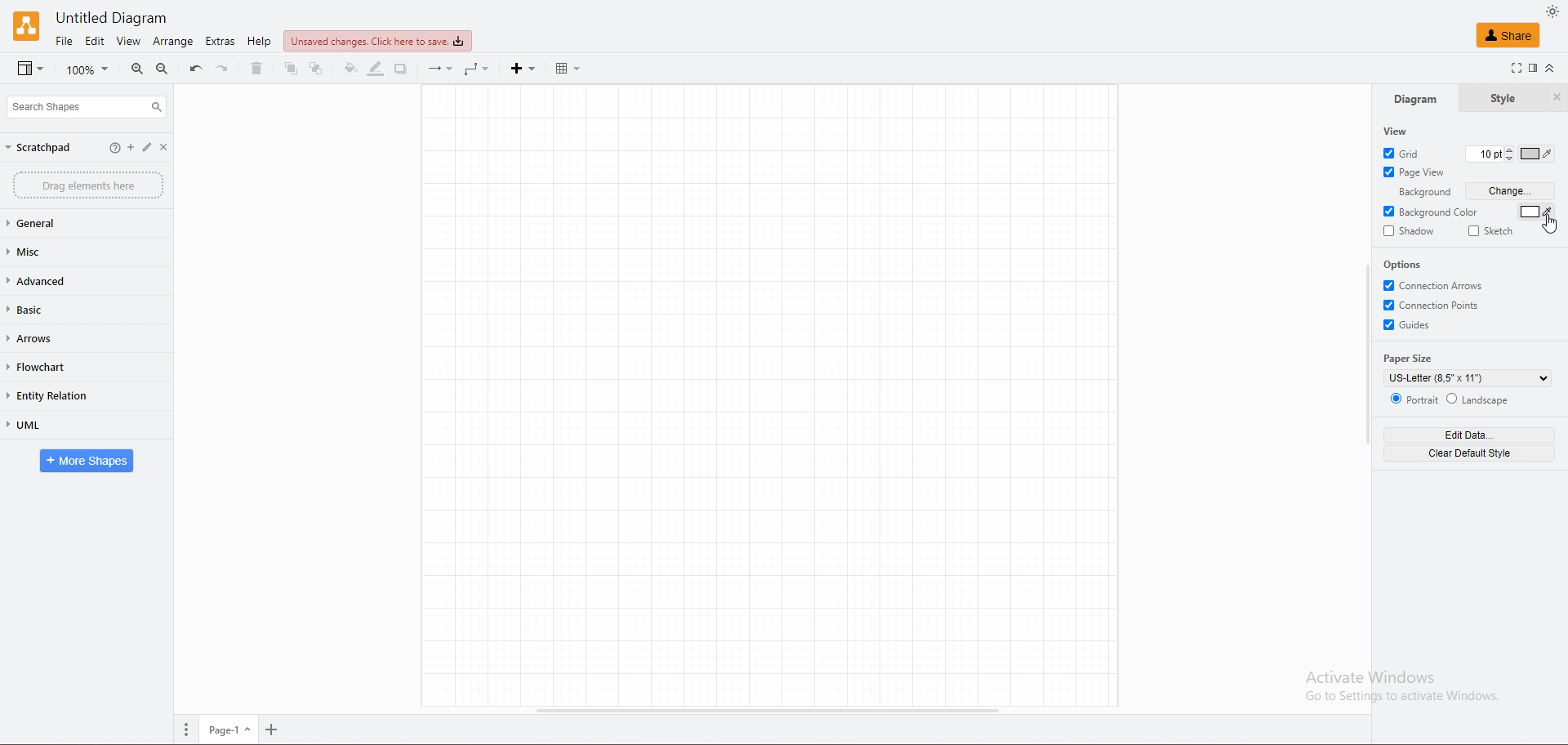 The image size is (1568, 745). I want to click on diagram, so click(1414, 98).